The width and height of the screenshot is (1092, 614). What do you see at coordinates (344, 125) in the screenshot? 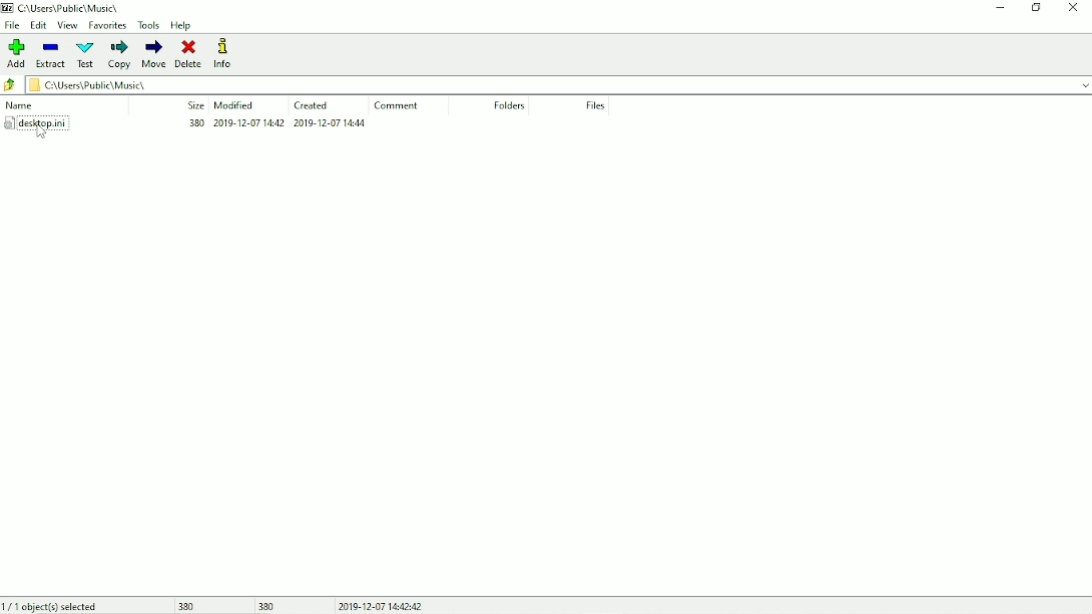
I see `2019-12-07 1eld.` at bounding box center [344, 125].